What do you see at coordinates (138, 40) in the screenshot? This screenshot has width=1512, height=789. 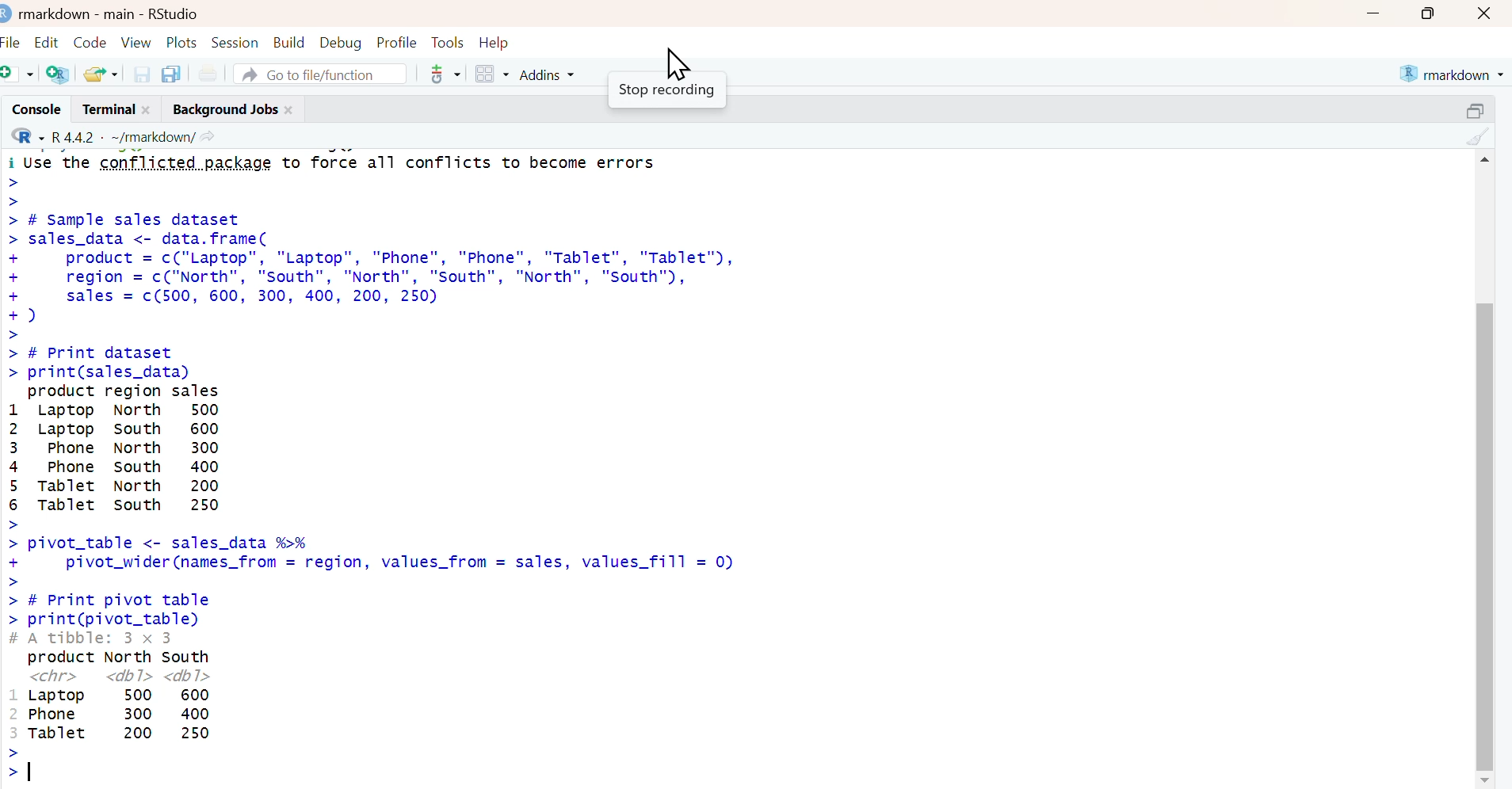 I see `View` at bounding box center [138, 40].